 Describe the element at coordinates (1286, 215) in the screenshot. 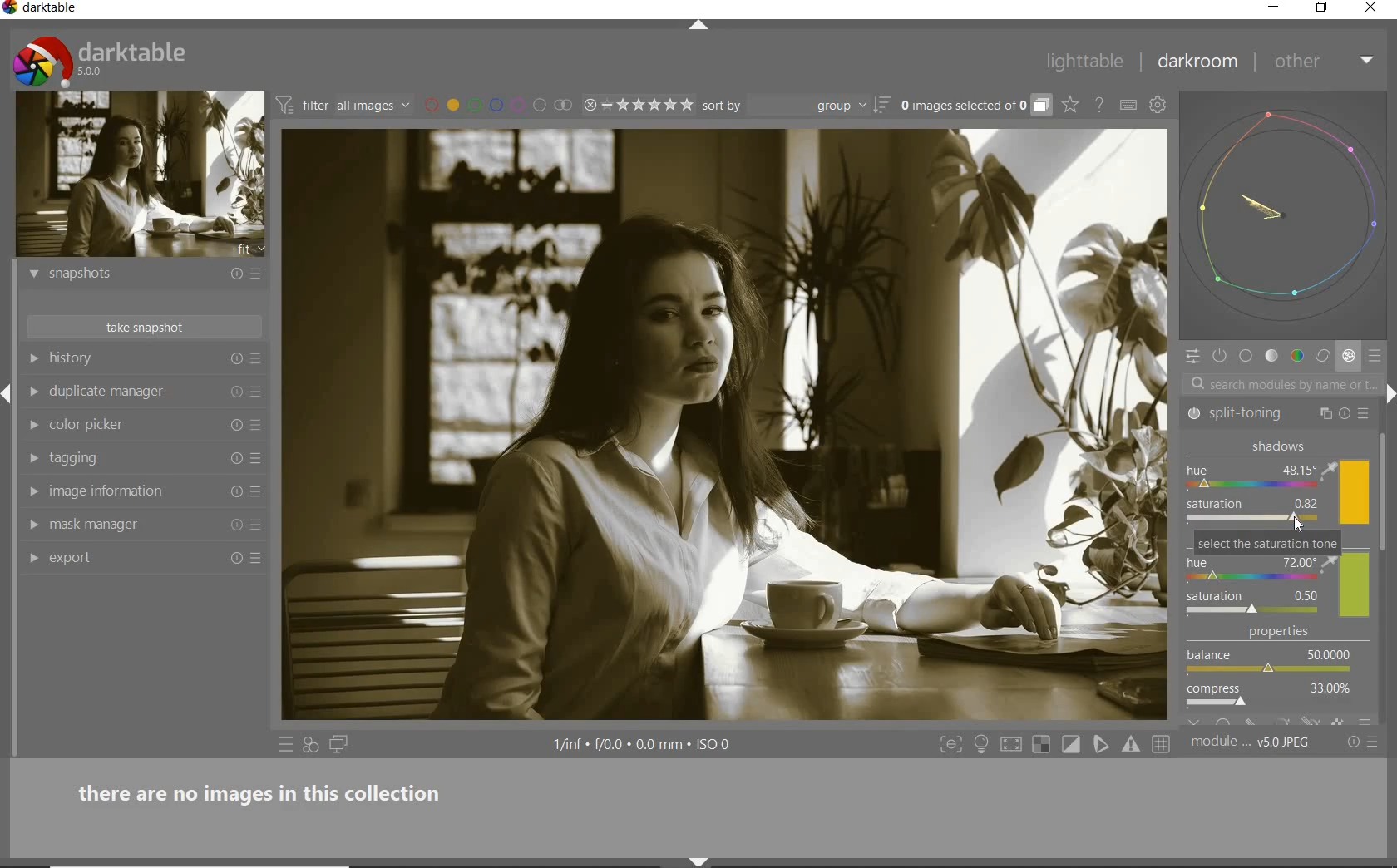

I see `waveform` at that location.